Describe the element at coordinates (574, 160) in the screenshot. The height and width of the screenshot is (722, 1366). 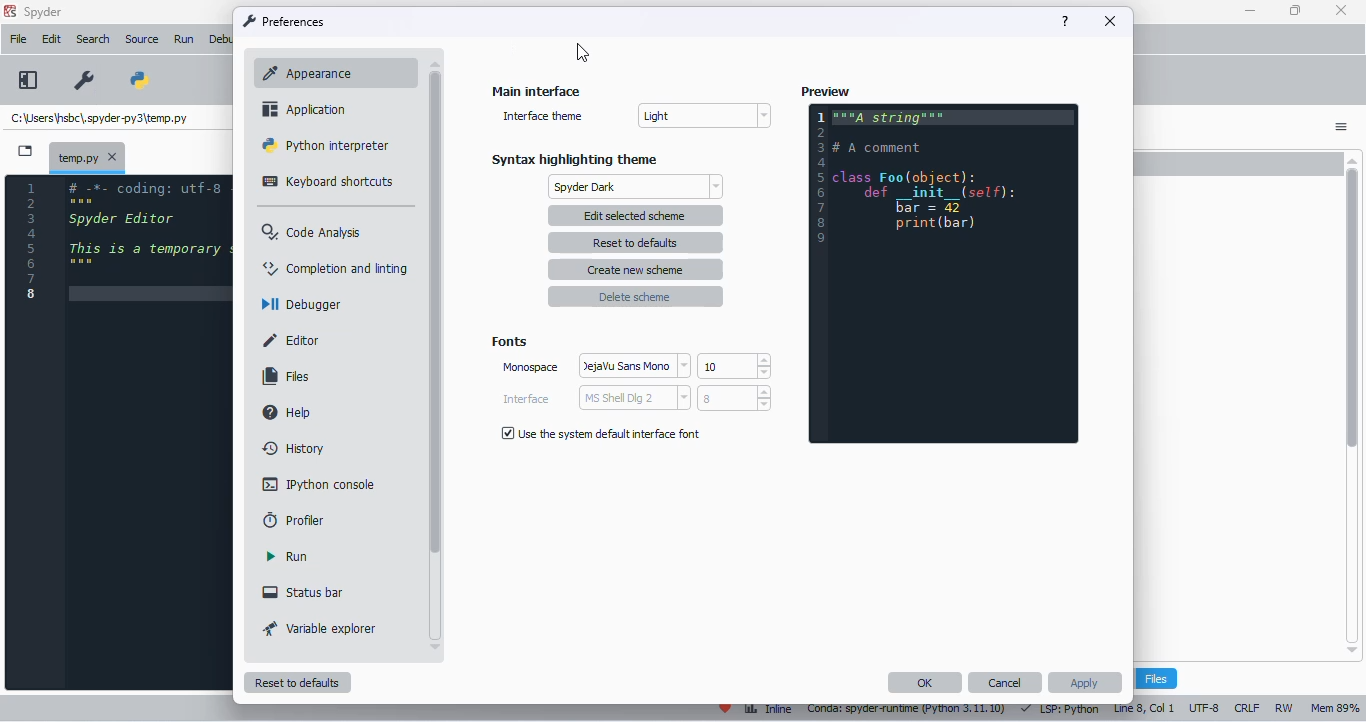
I see `syntax highlighting theme` at that location.